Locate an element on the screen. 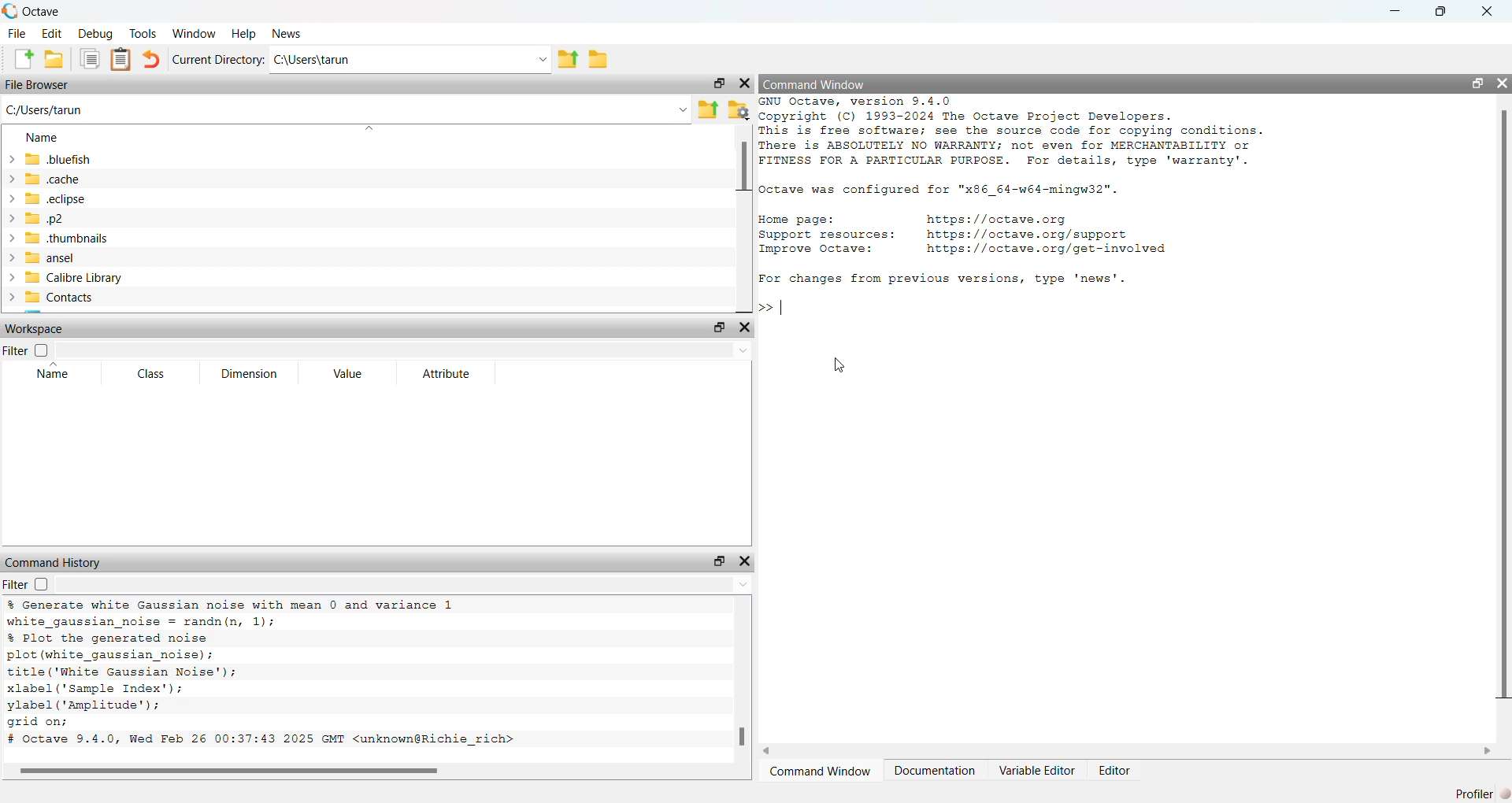  Name is located at coordinates (54, 373).